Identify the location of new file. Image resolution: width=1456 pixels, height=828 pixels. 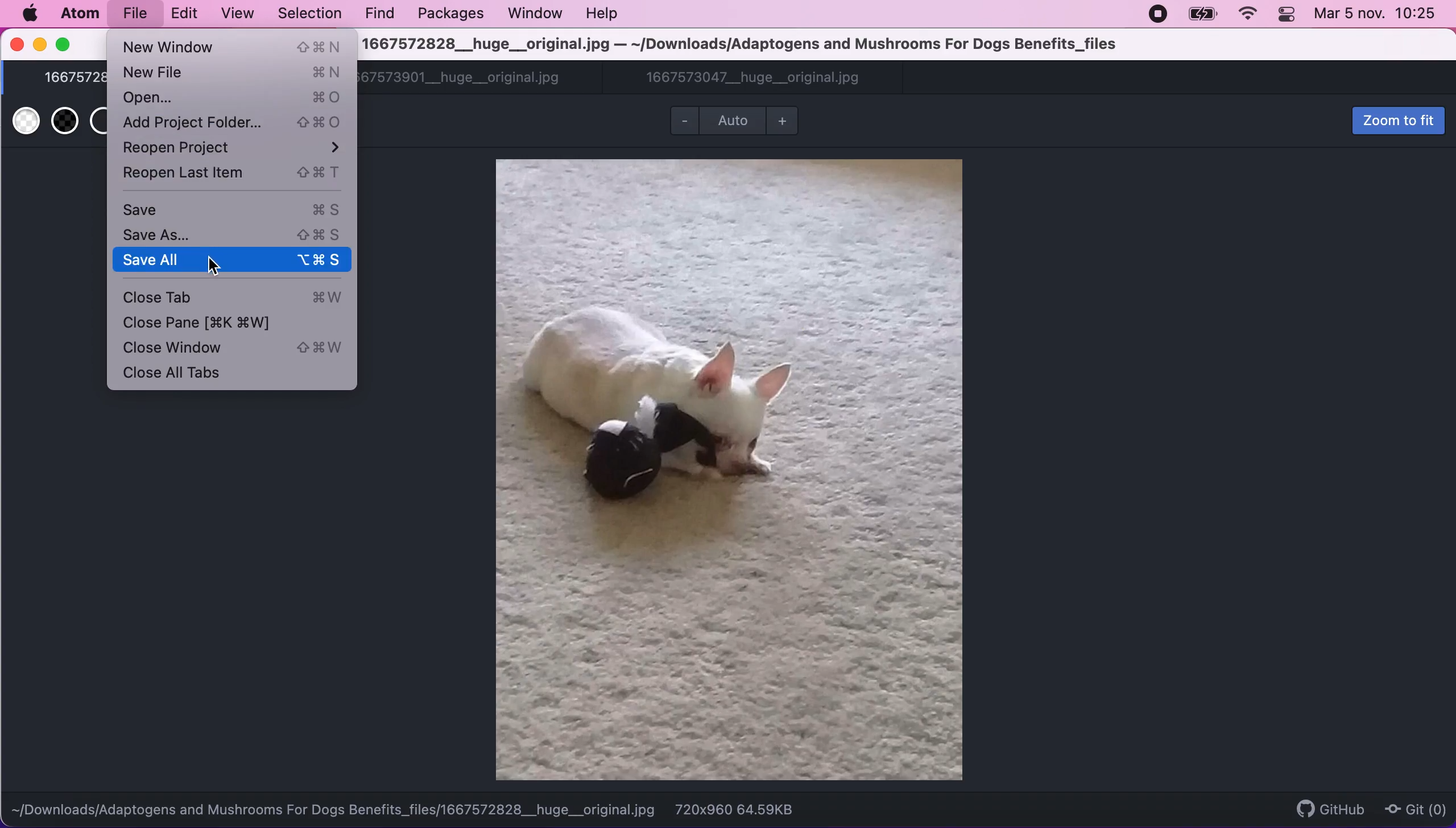
(234, 74).